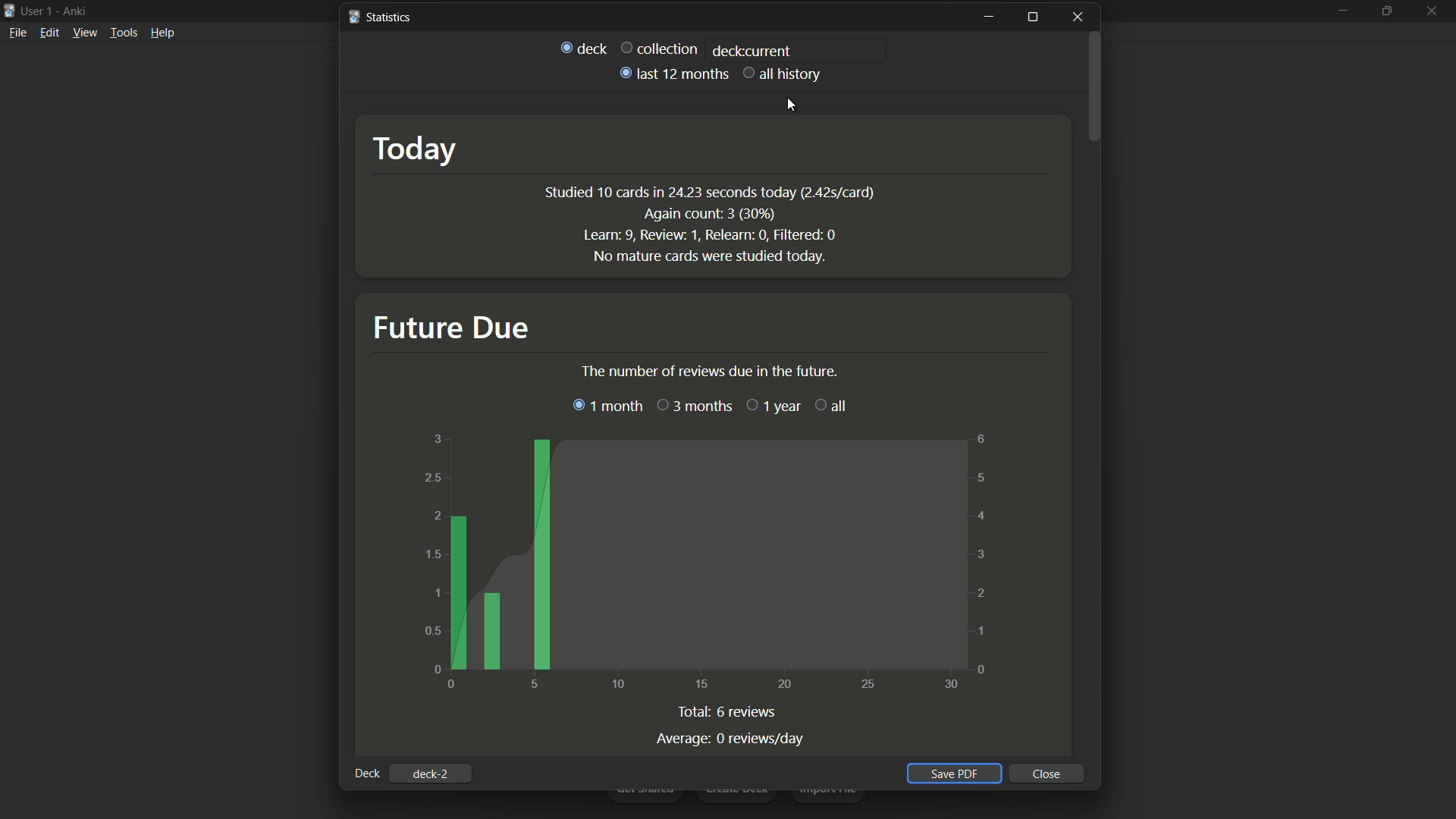 This screenshot has width=1456, height=819. What do you see at coordinates (9, 11) in the screenshot?
I see `Logo` at bounding box center [9, 11].